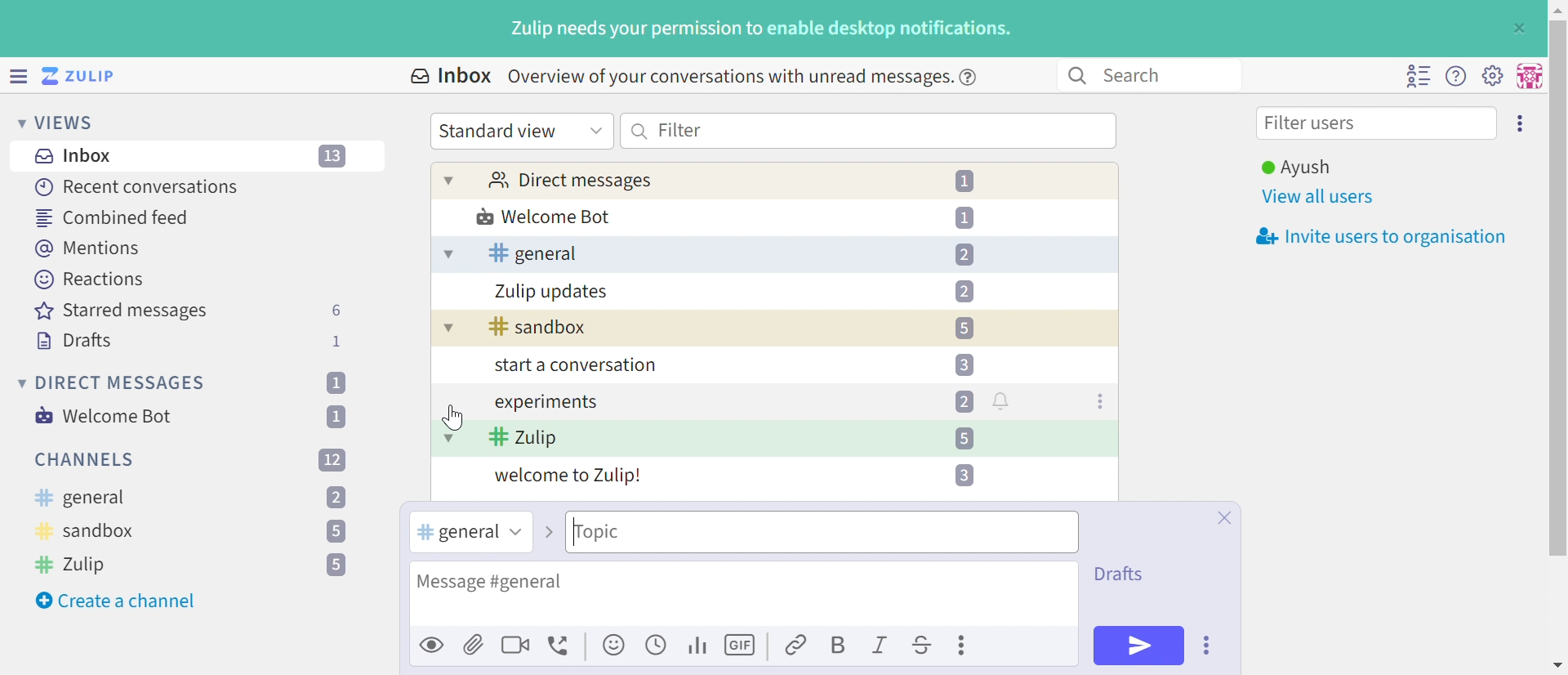 The height and width of the screenshot is (675, 1568). What do you see at coordinates (1492, 74) in the screenshot?
I see `Main menu` at bounding box center [1492, 74].